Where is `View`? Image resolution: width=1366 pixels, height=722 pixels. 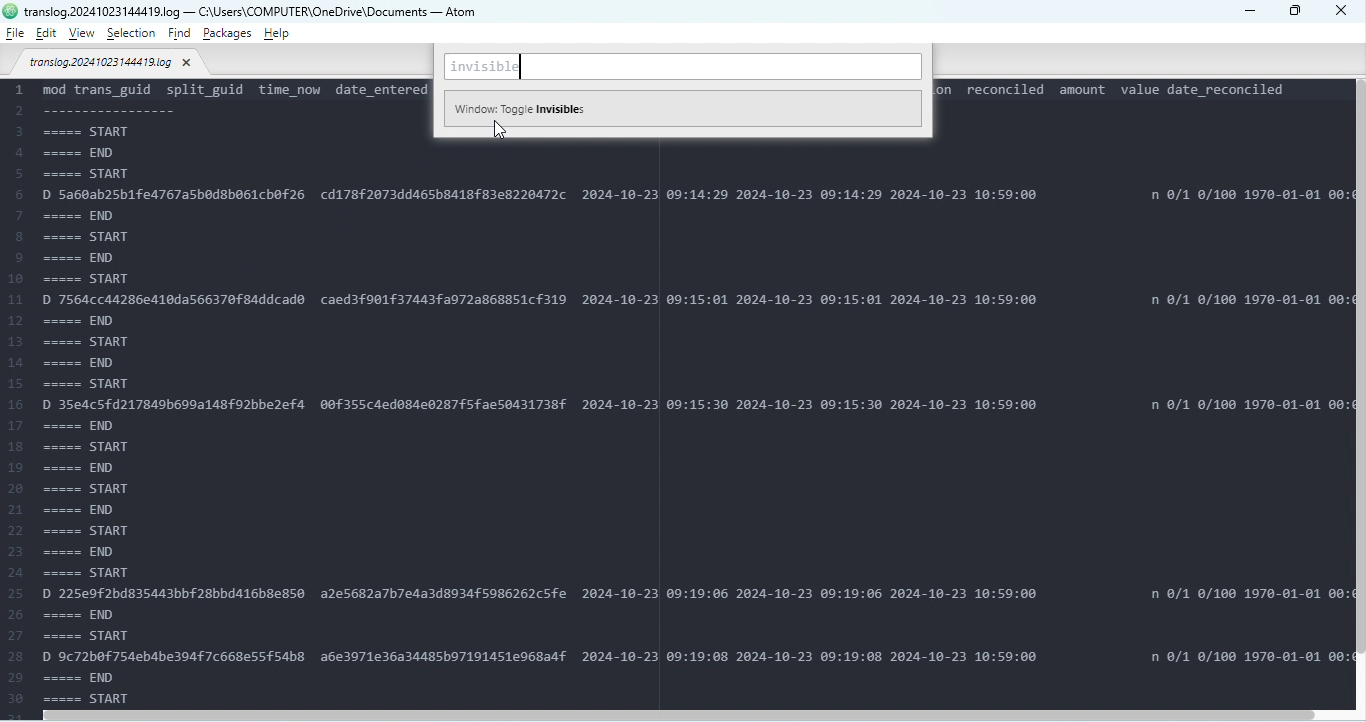
View is located at coordinates (85, 33).